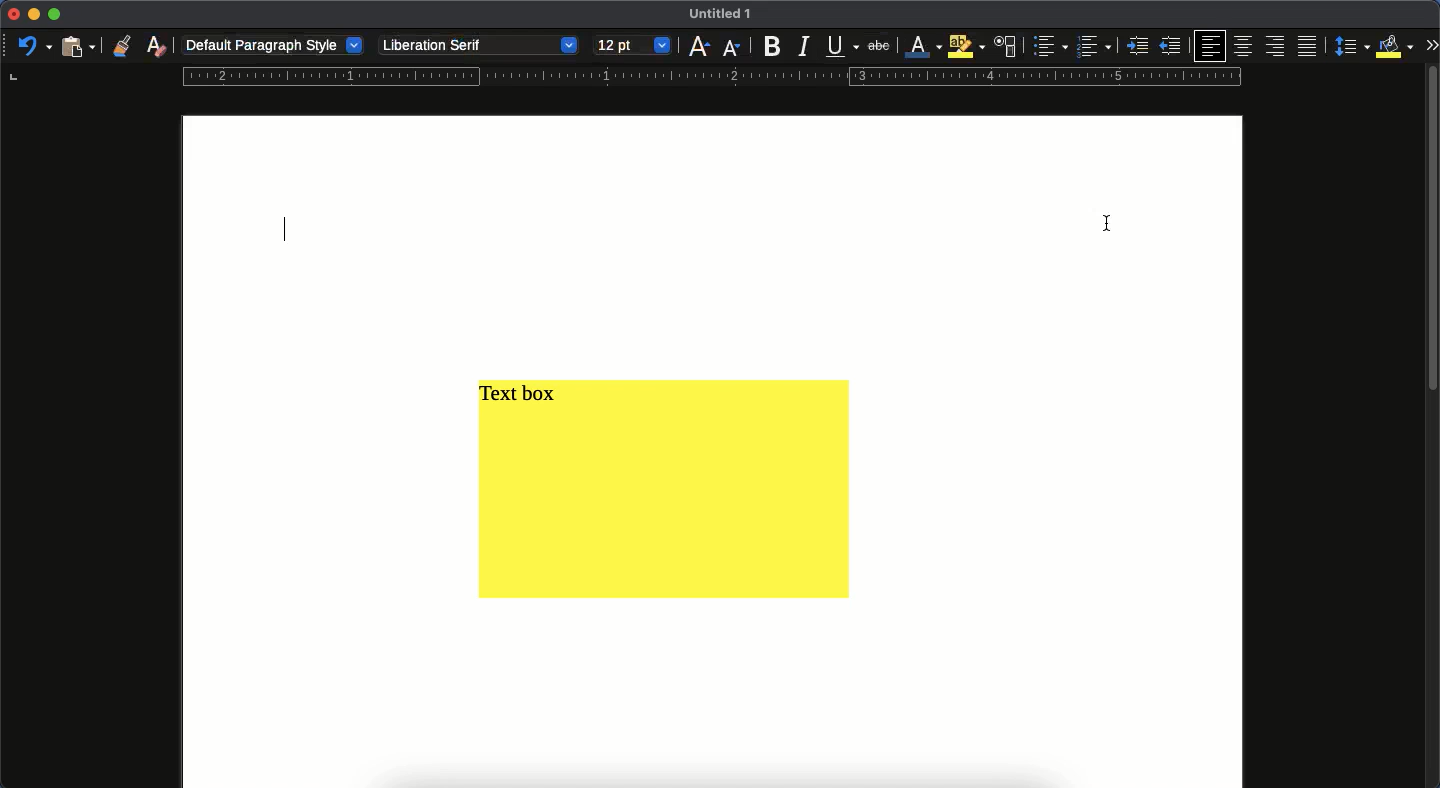  Describe the element at coordinates (839, 46) in the screenshot. I see `underline` at that location.